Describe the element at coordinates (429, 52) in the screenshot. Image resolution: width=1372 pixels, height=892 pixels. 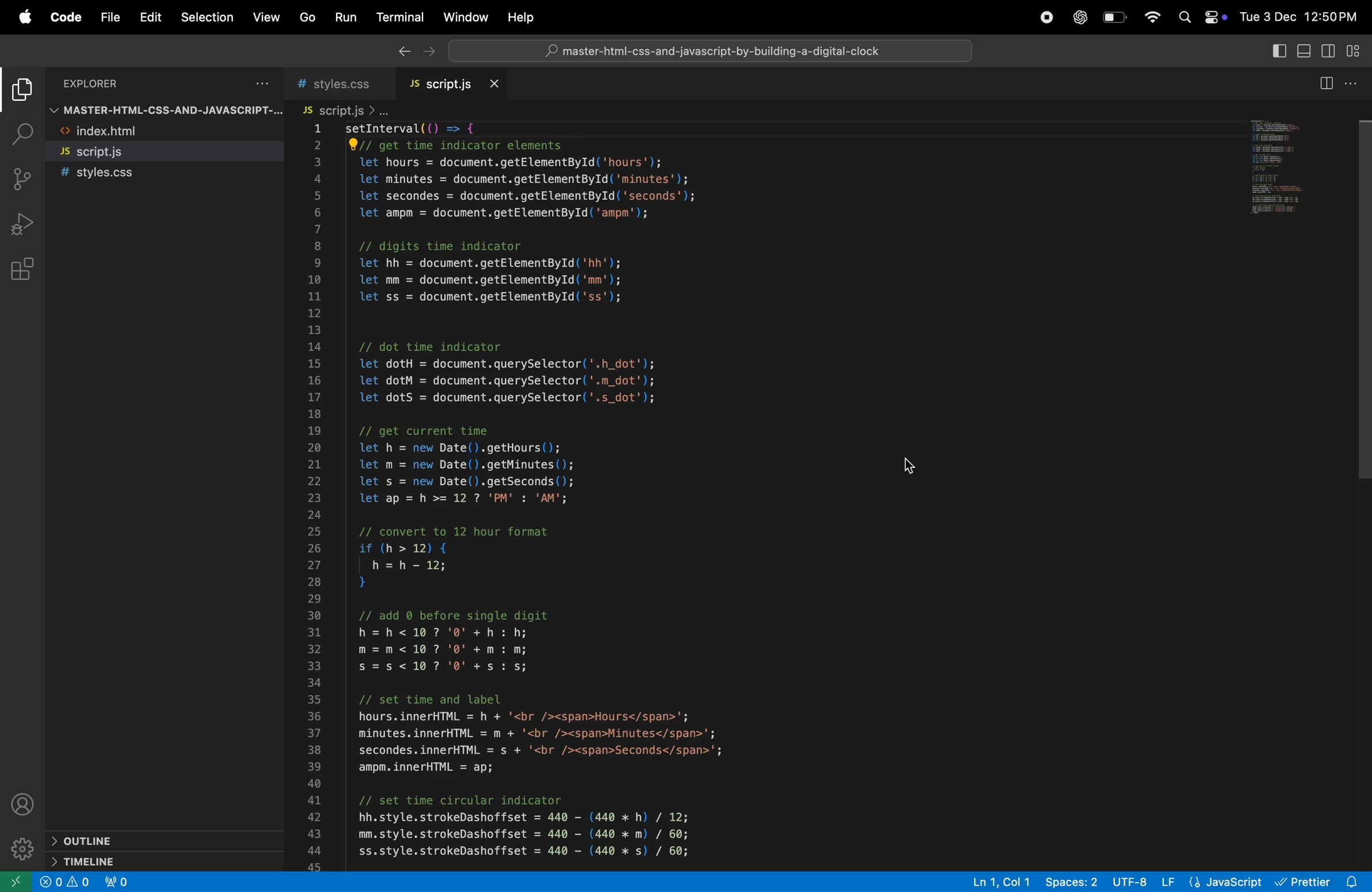
I see `forward` at that location.